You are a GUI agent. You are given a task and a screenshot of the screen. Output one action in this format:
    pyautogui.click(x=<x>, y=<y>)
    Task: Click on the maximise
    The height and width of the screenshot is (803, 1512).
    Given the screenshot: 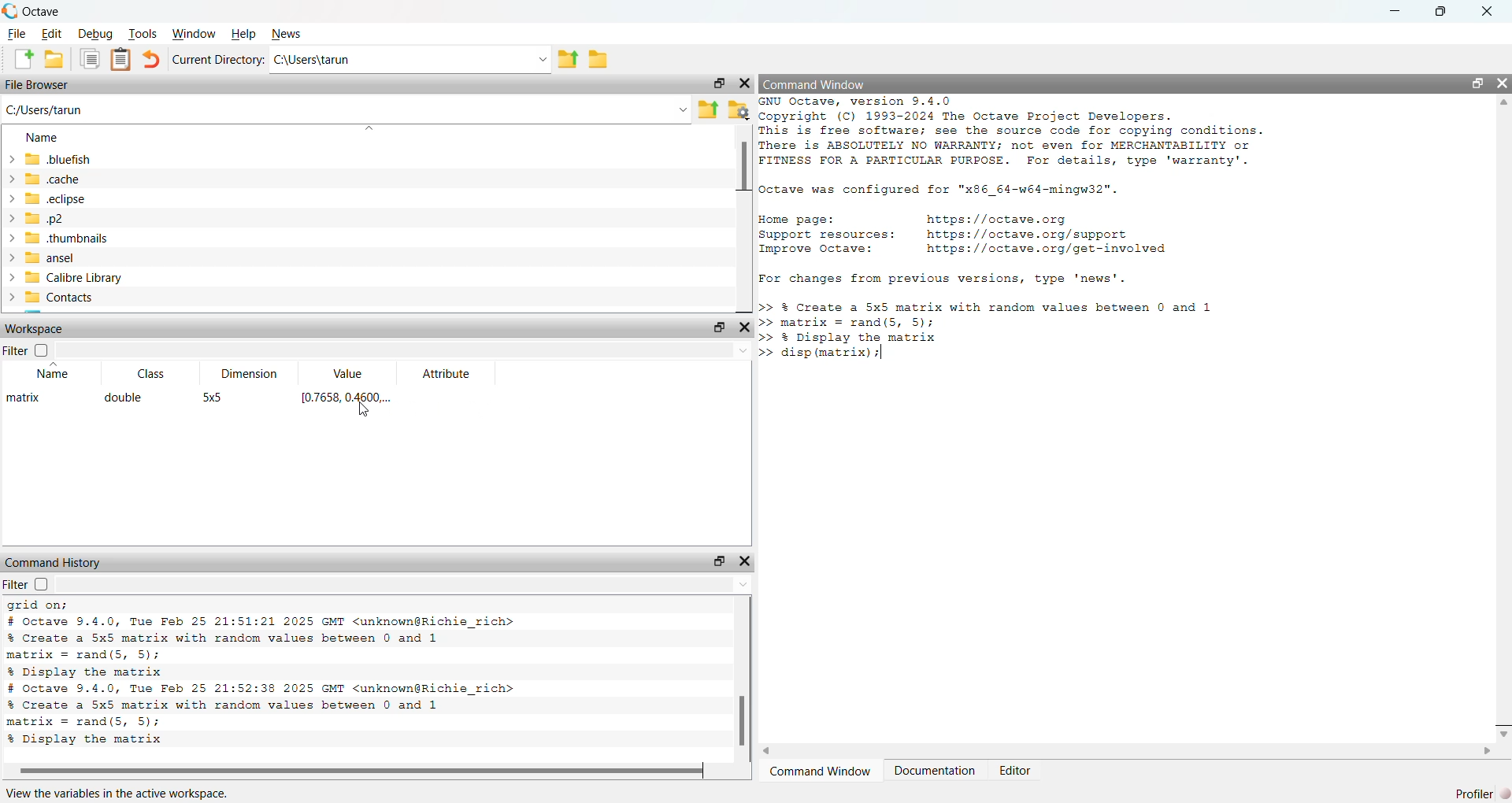 What is the action you would take?
    pyautogui.click(x=716, y=560)
    